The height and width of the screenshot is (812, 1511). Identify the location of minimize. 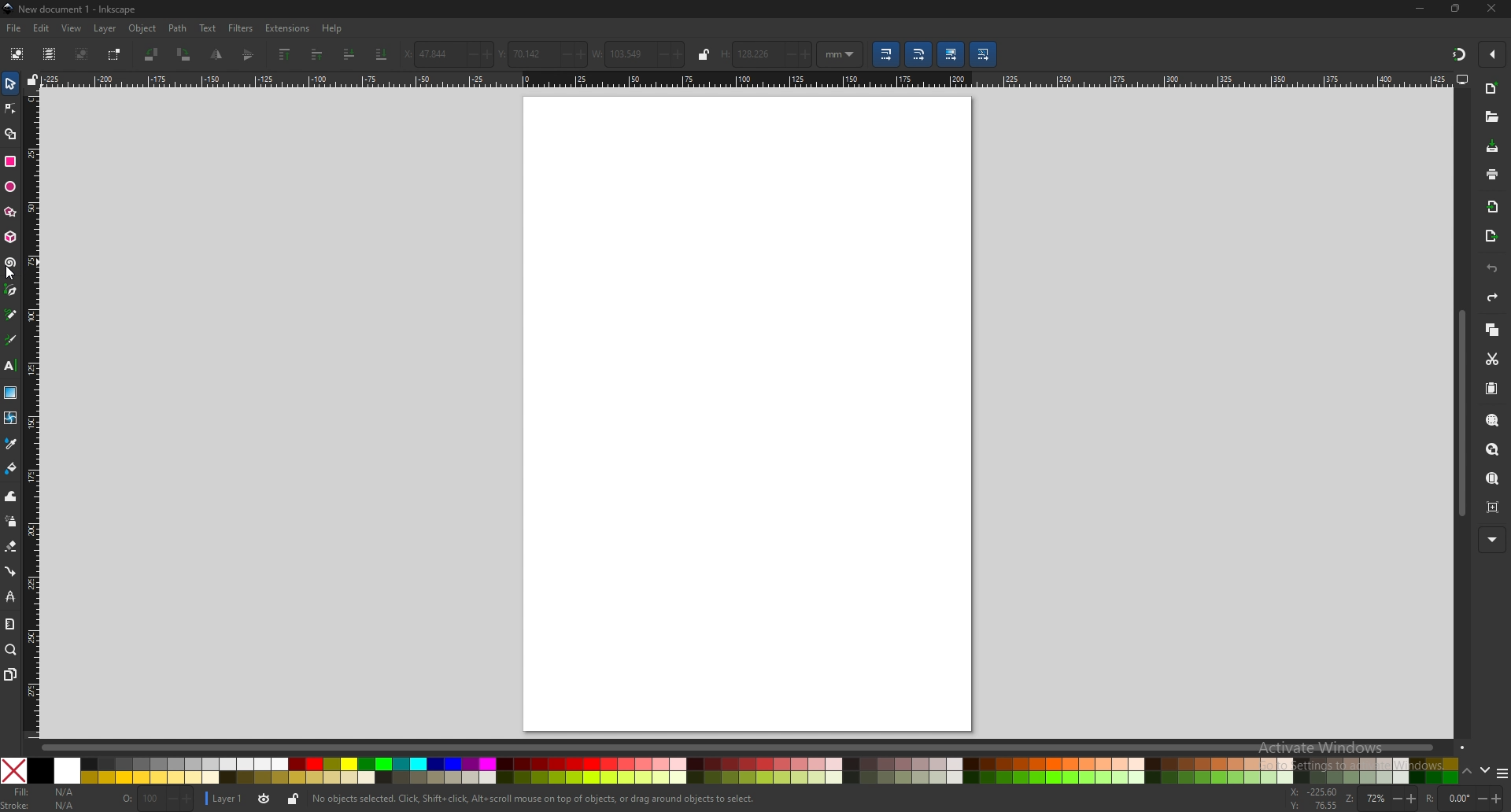
(1419, 8).